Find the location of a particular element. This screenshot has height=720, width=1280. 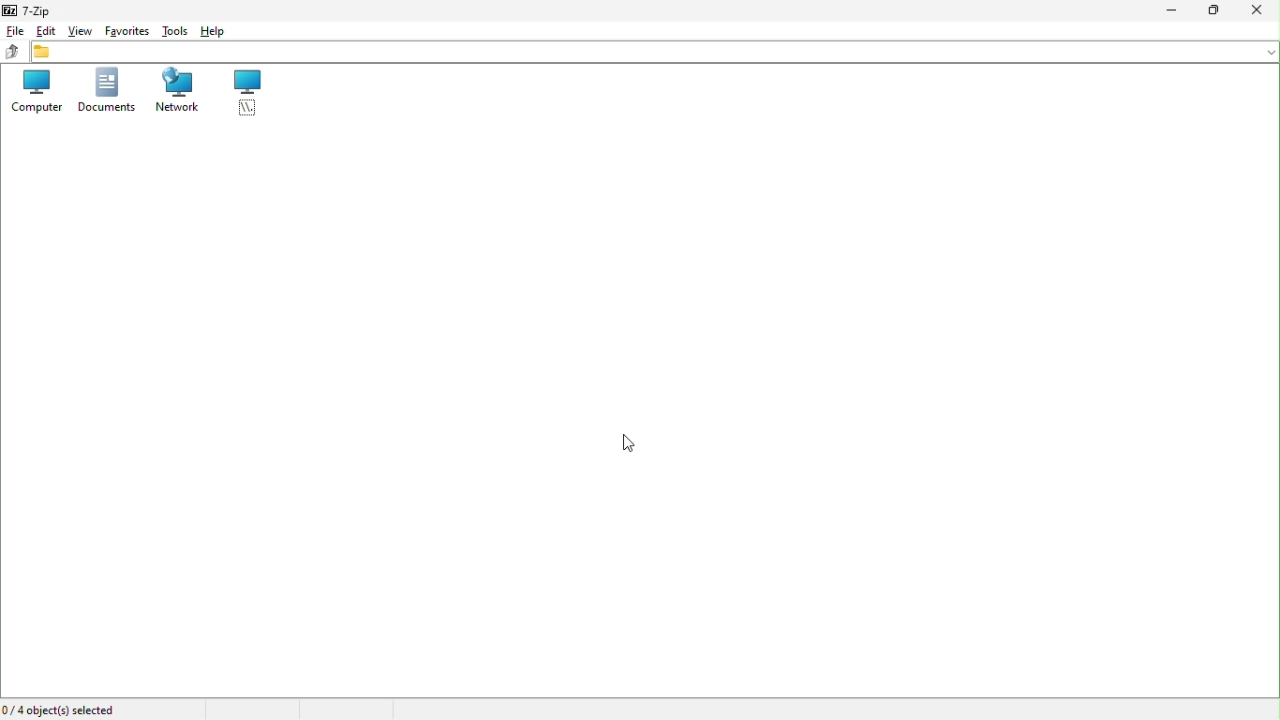

file is located at coordinates (14, 30).